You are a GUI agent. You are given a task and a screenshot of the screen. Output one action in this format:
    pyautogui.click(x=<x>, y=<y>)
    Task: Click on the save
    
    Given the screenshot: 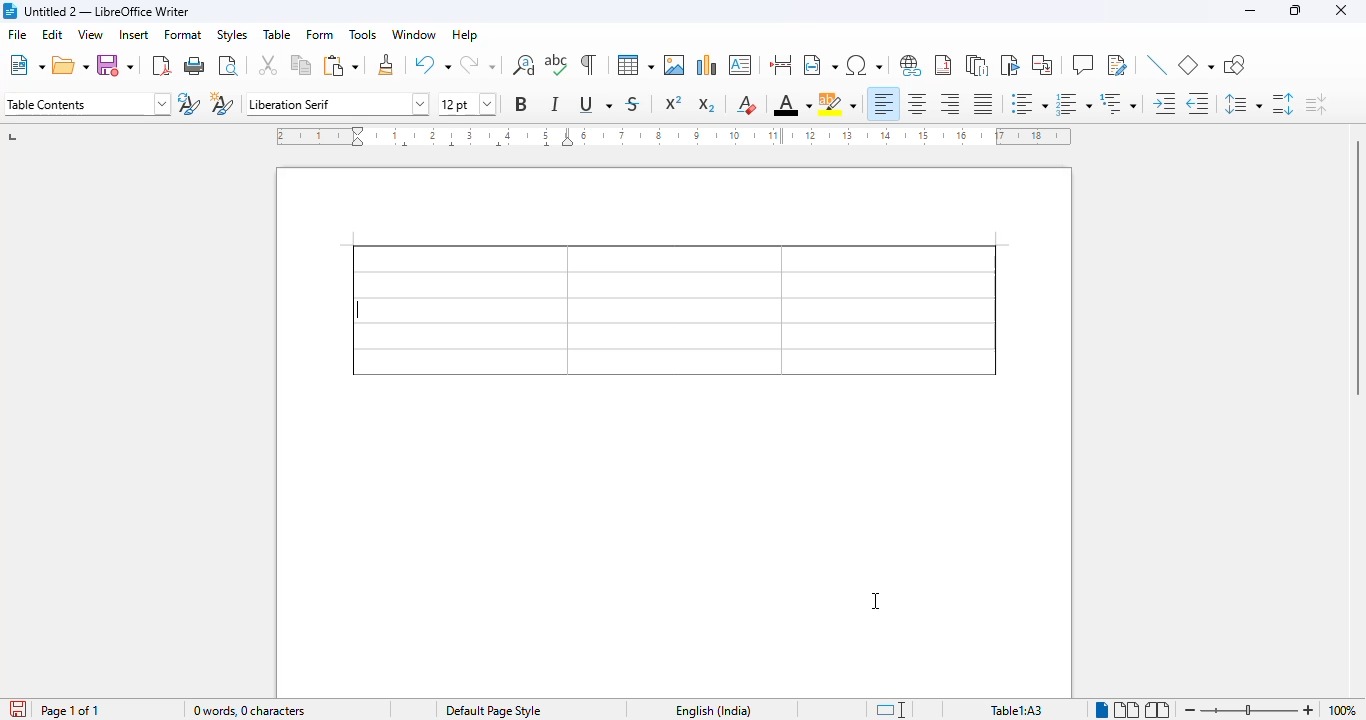 What is the action you would take?
    pyautogui.click(x=115, y=64)
    